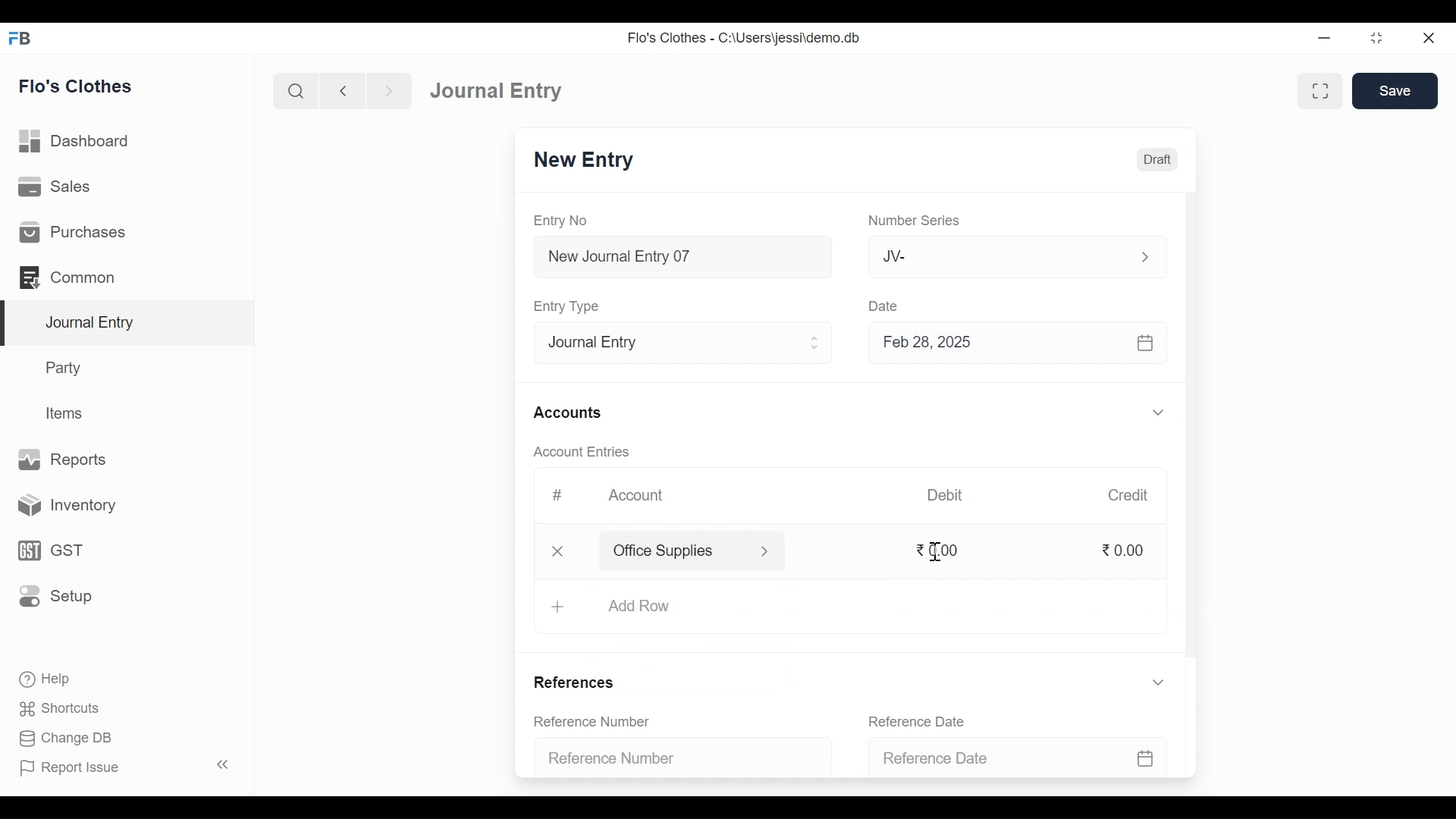  Describe the element at coordinates (1376, 38) in the screenshot. I see `Restore` at that location.